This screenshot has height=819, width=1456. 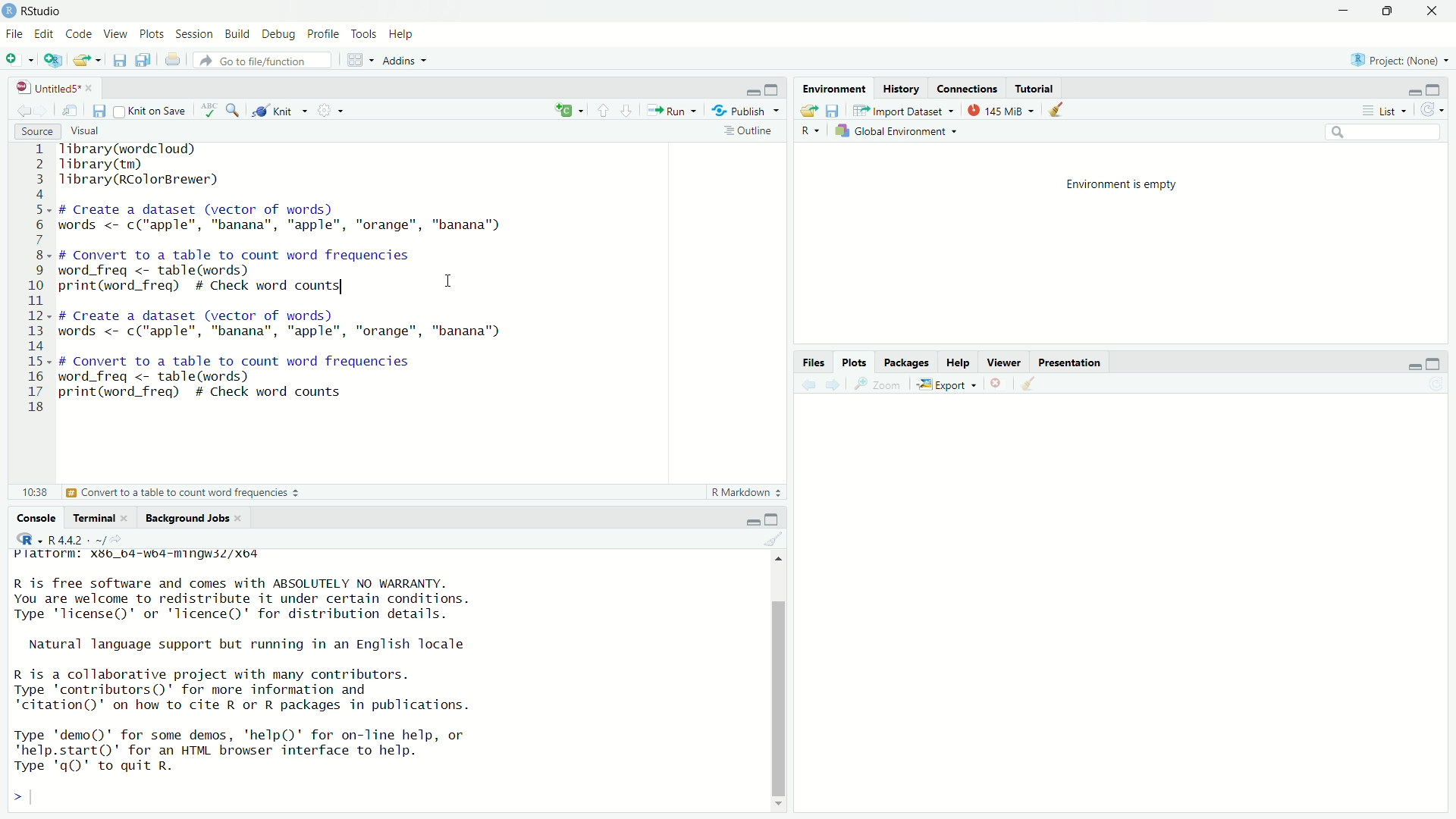 What do you see at coordinates (1386, 111) in the screenshot?
I see `List` at bounding box center [1386, 111].